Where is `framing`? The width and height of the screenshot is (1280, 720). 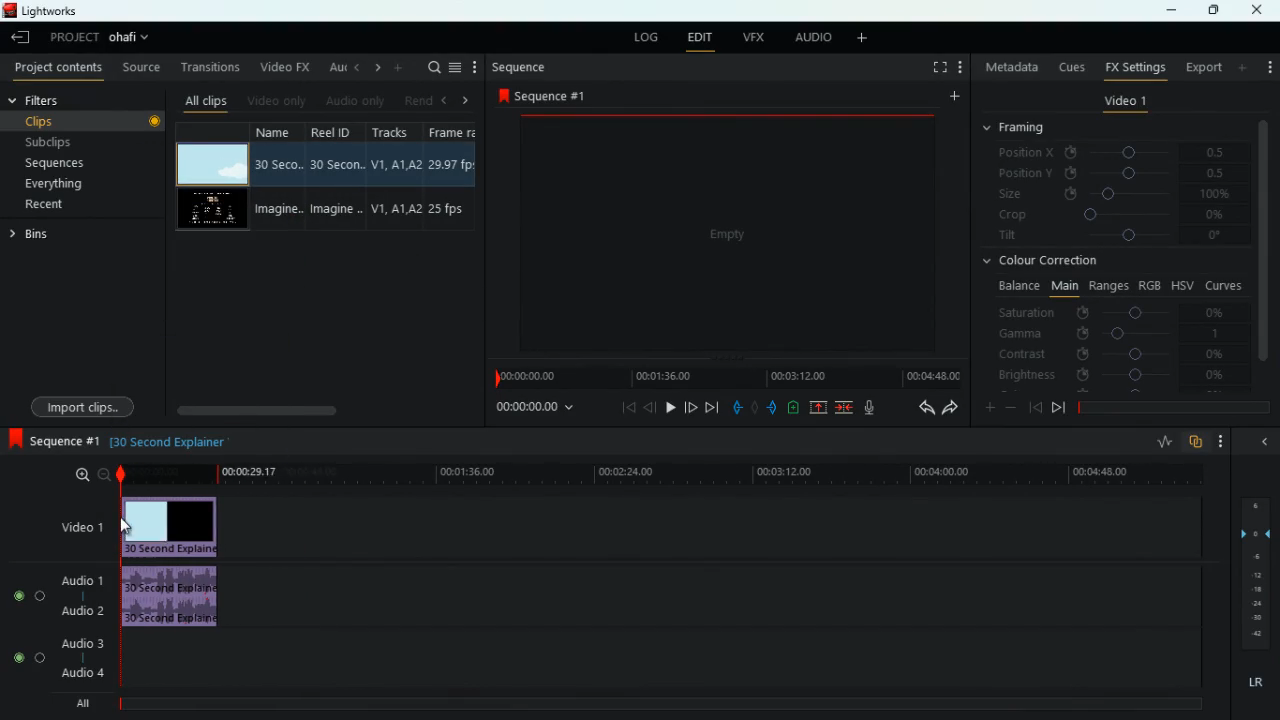 framing is located at coordinates (1016, 128).